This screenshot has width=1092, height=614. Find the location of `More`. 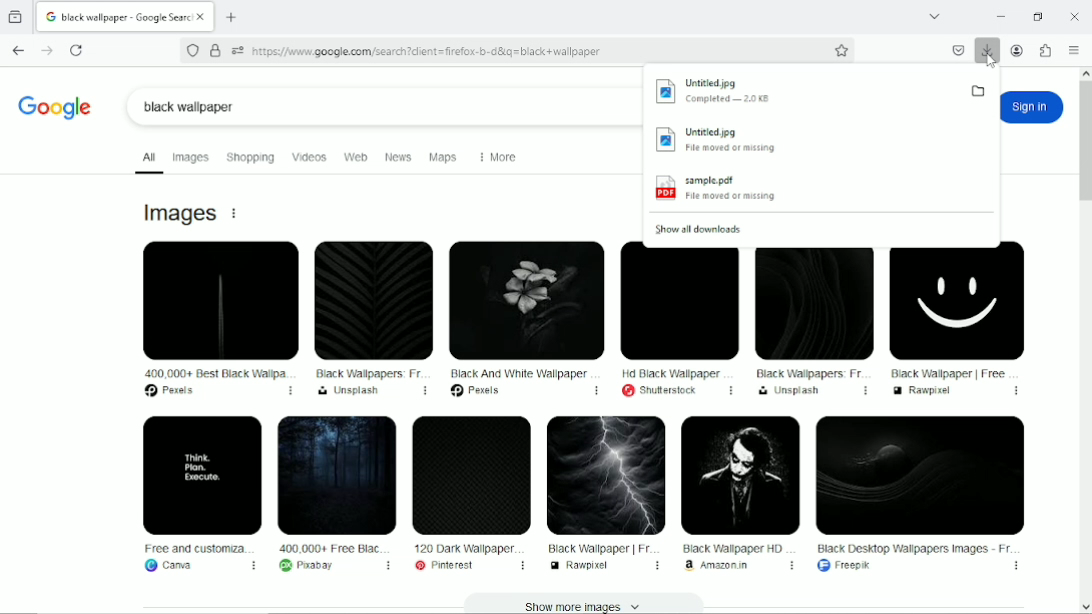

More is located at coordinates (502, 155).